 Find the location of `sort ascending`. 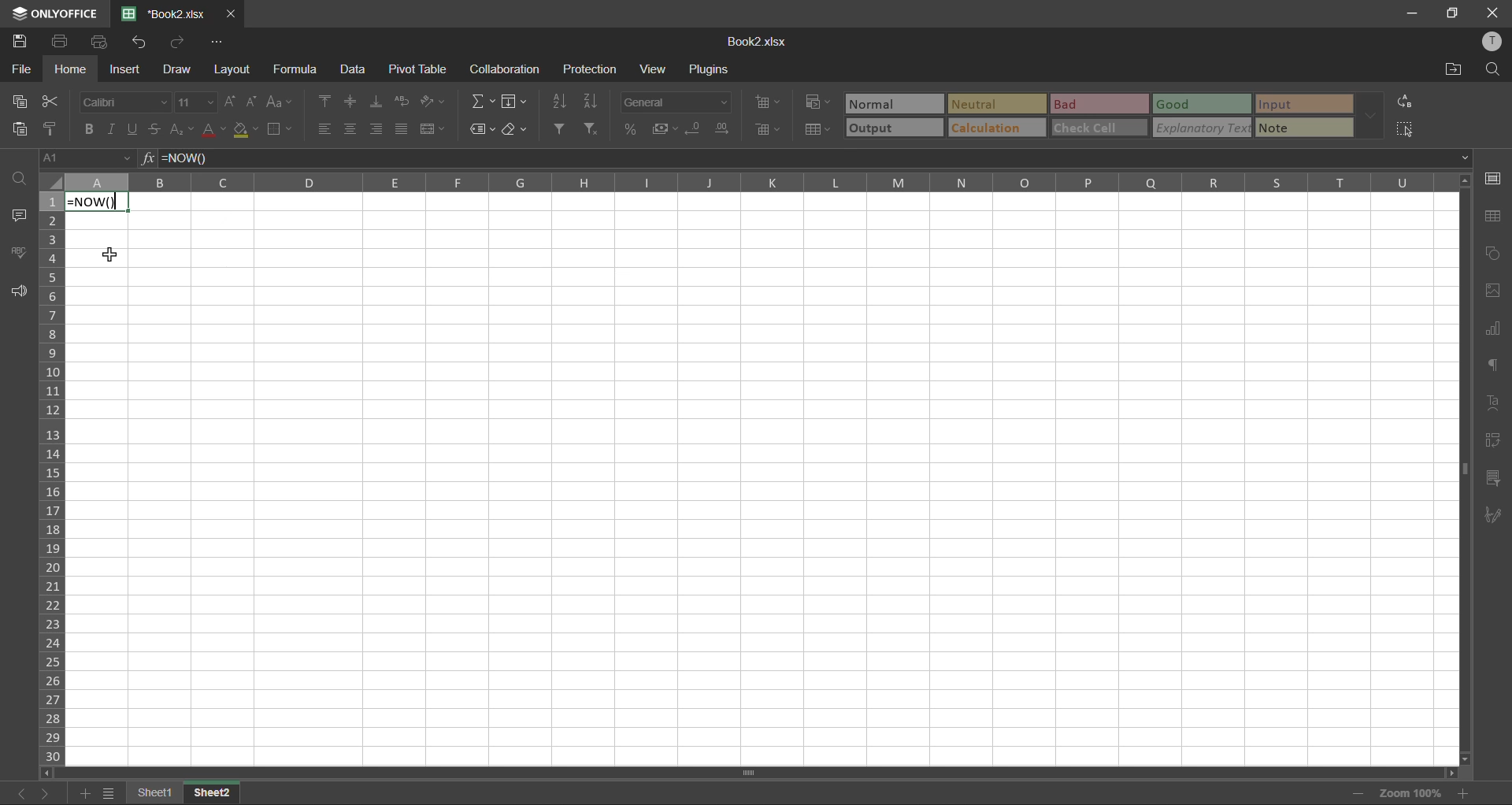

sort ascending is located at coordinates (561, 100).